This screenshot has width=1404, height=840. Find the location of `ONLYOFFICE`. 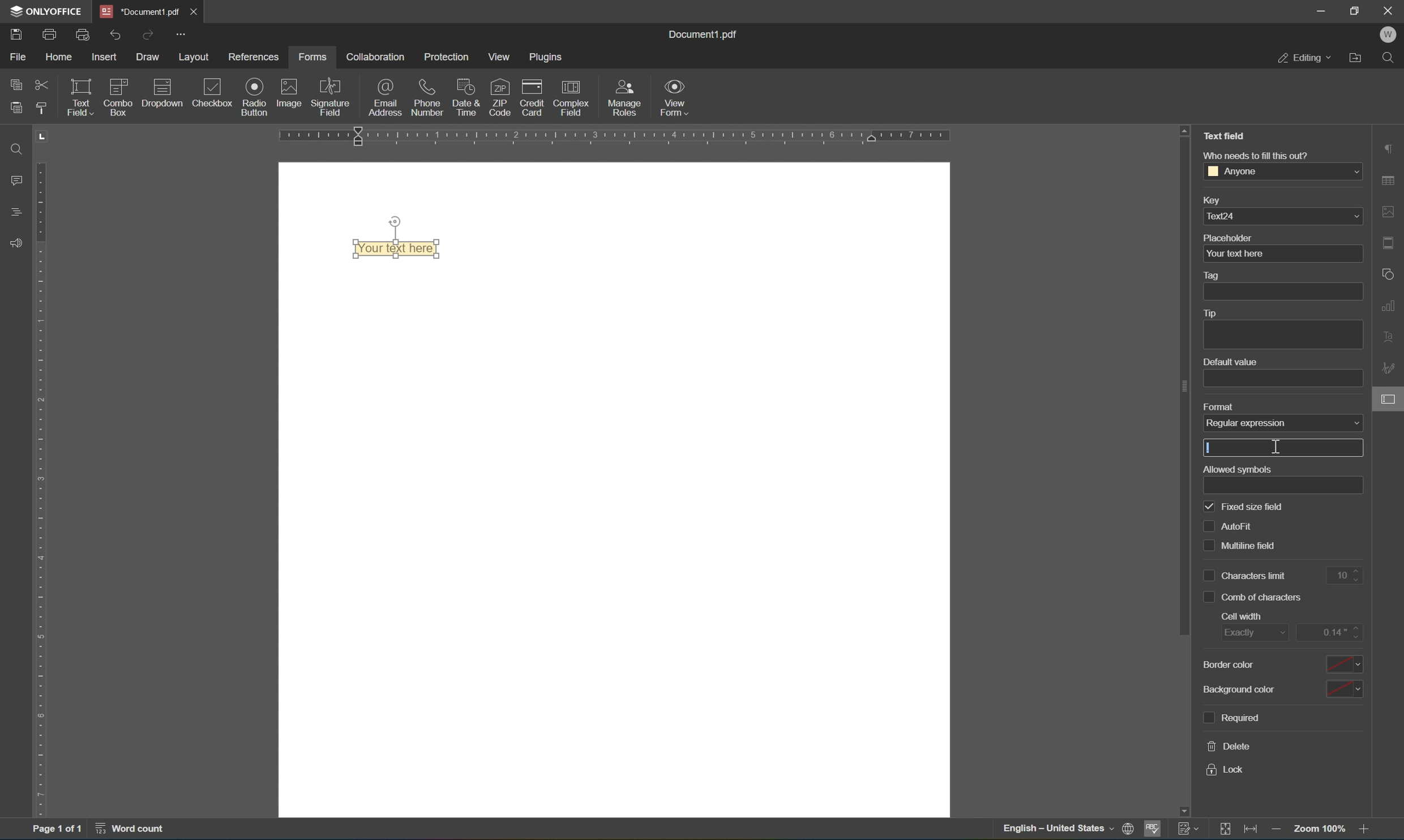

ONLYOFFICE is located at coordinates (46, 11).